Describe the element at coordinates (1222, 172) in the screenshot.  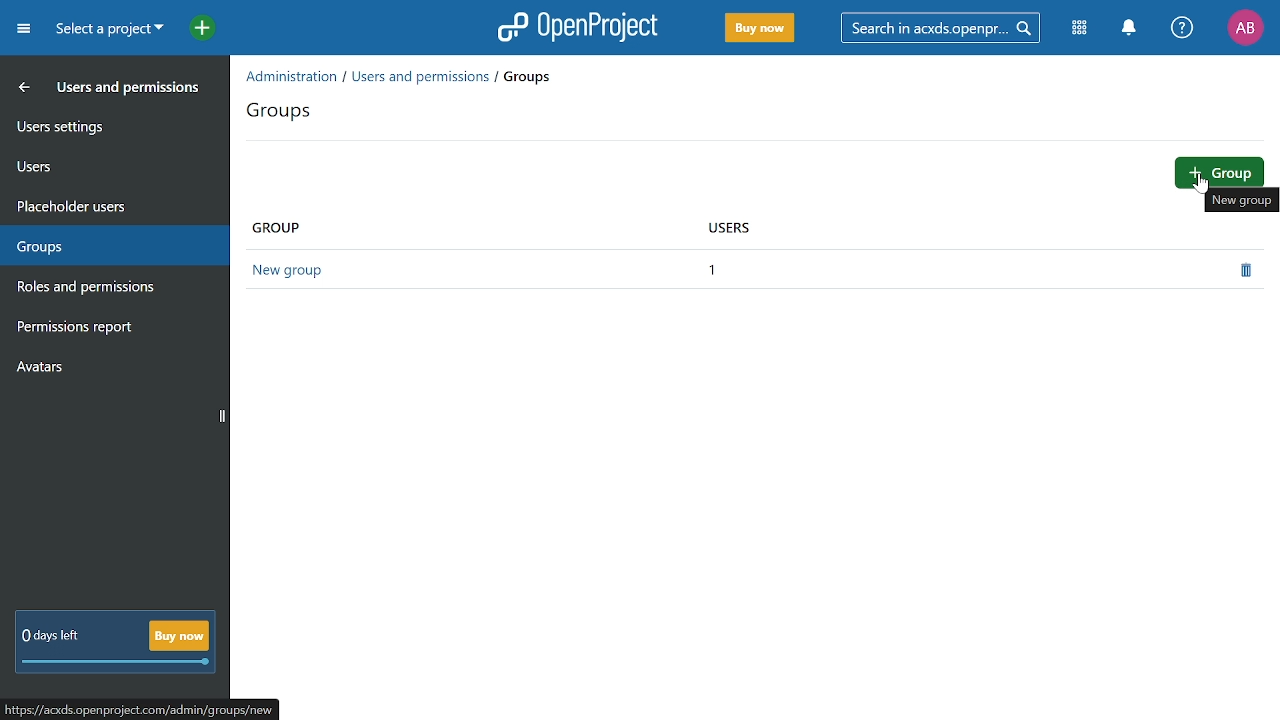
I see `Create group` at that location.